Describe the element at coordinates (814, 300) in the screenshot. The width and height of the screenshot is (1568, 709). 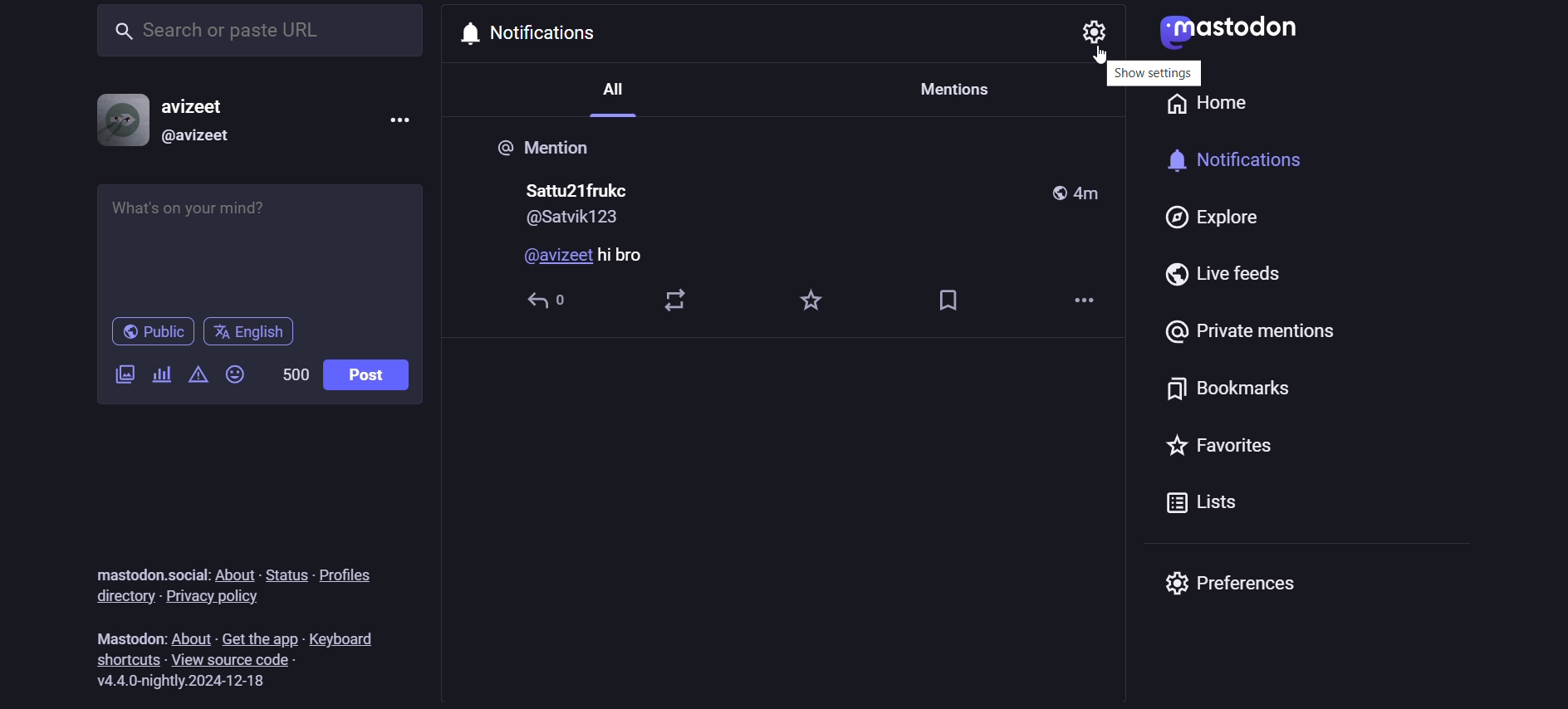
I see `favorites` at that location.